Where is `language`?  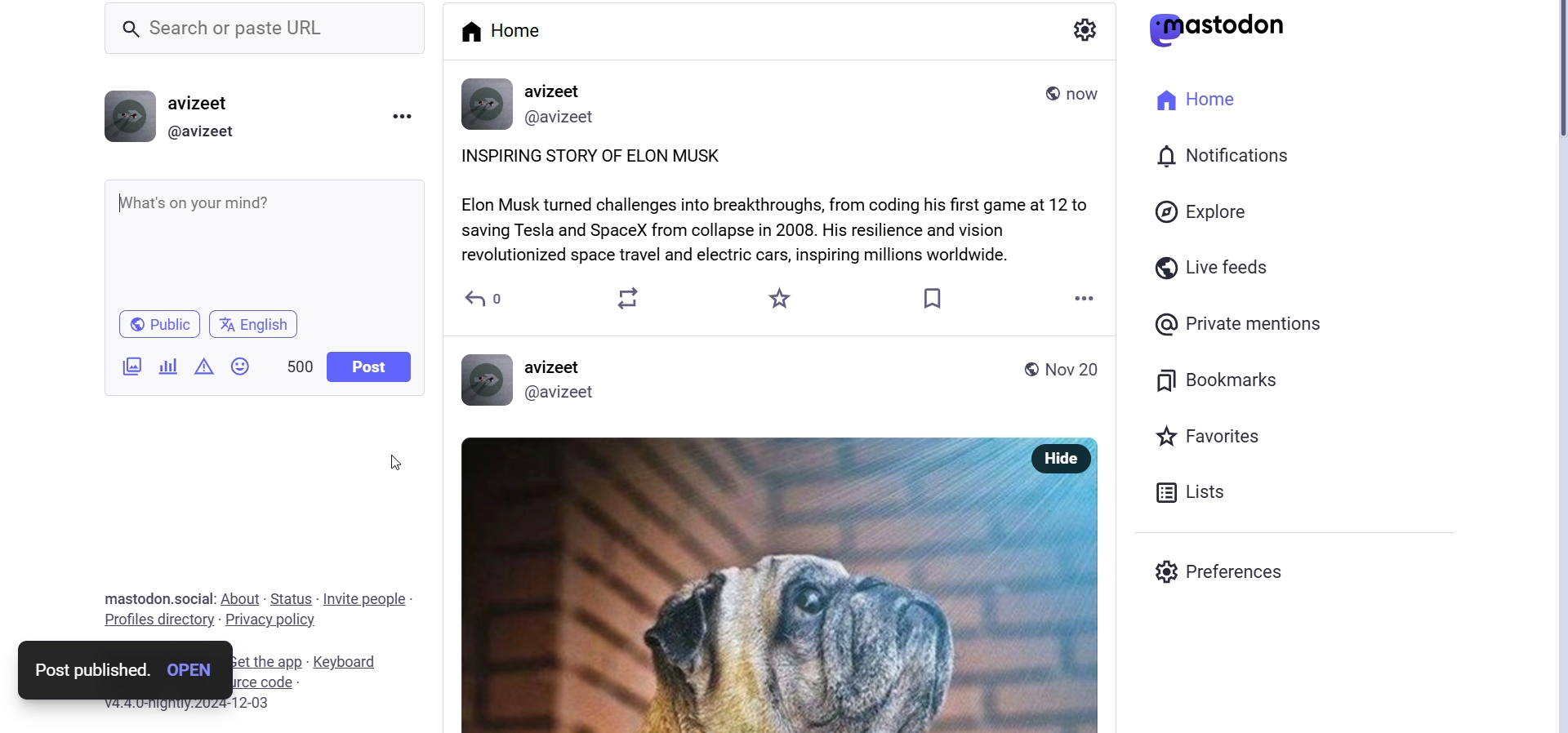
language is located at coordinates (258, 323).